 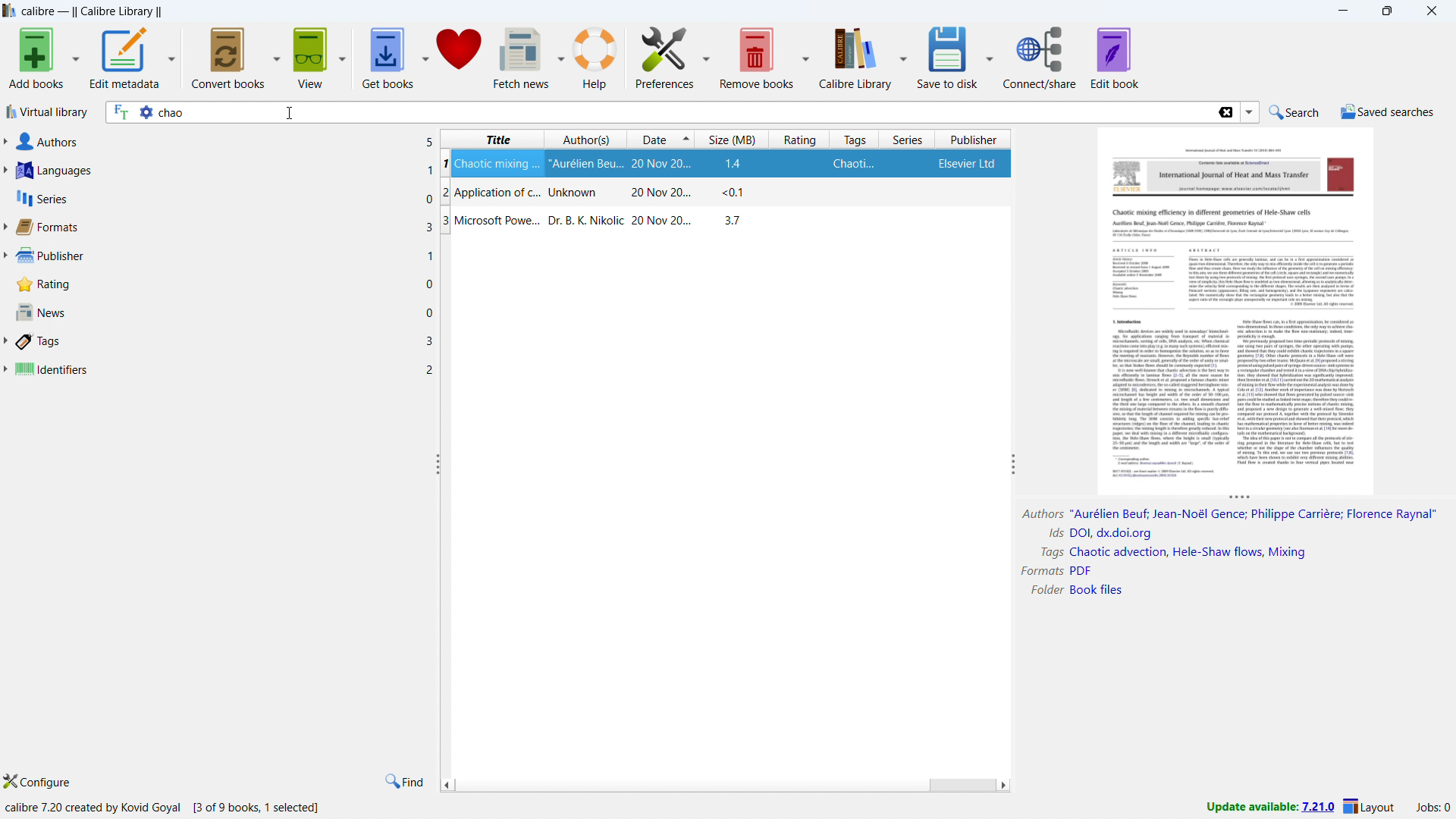 I want to click on close, so click(x=1432, y=10).